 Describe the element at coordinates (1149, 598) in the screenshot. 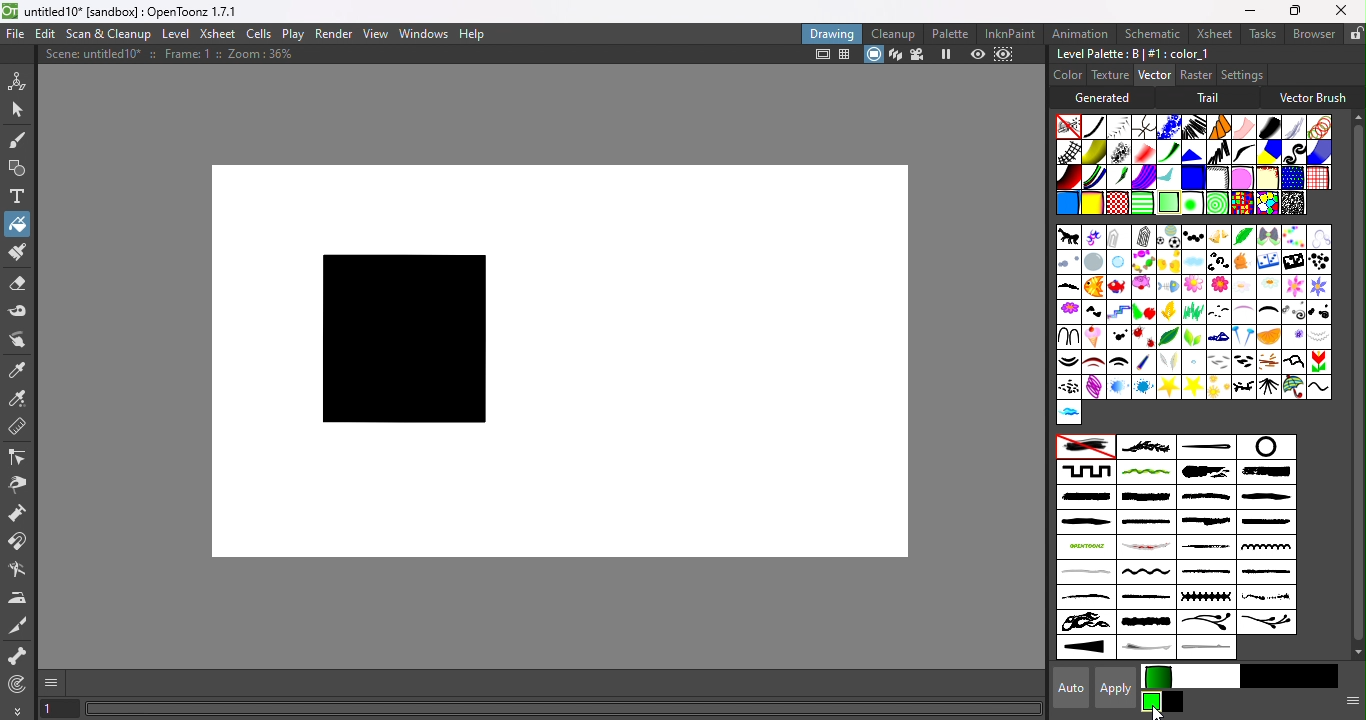

I see `small_brush4` at that location.